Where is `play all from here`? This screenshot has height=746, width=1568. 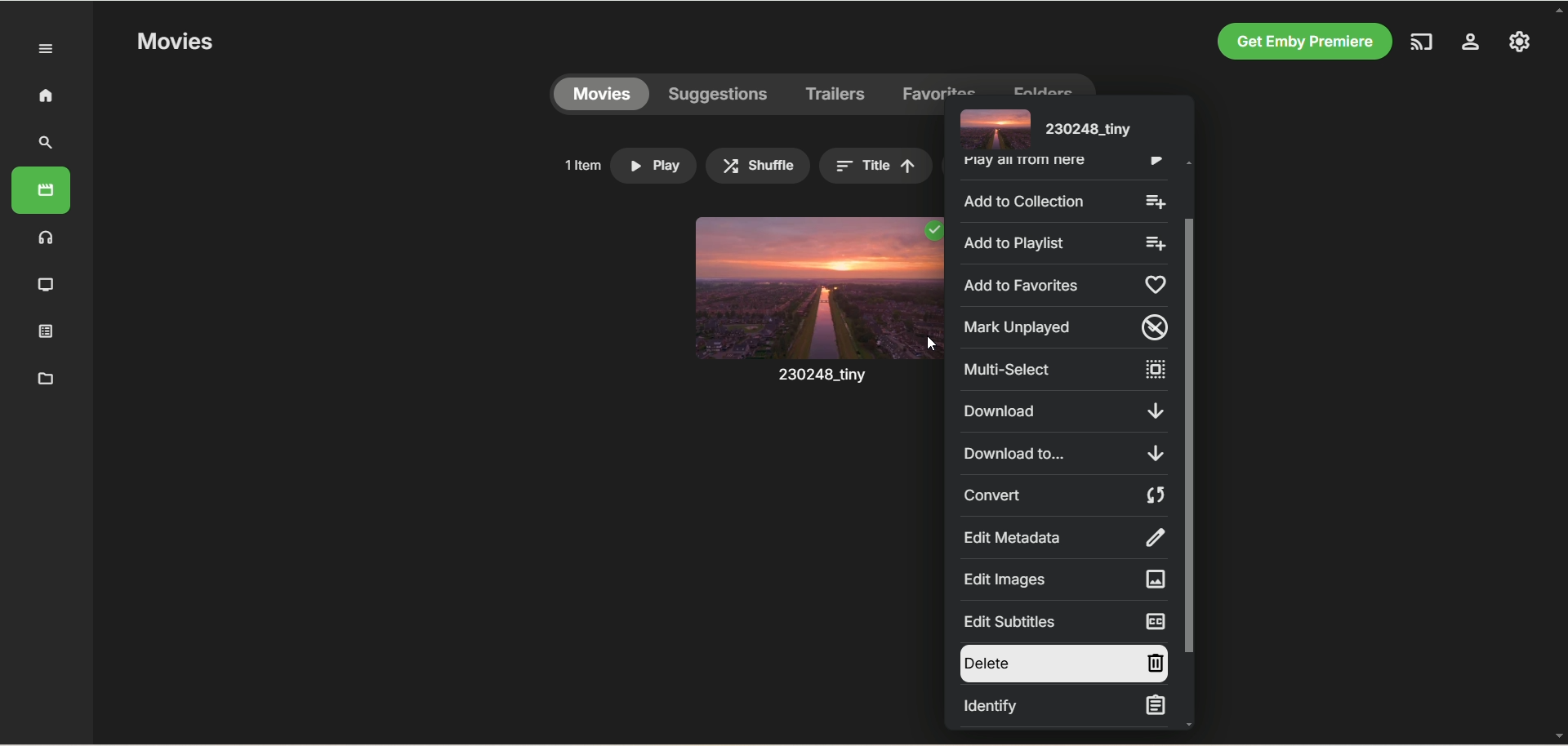
play all from here is located at coordinates (1060, 166).